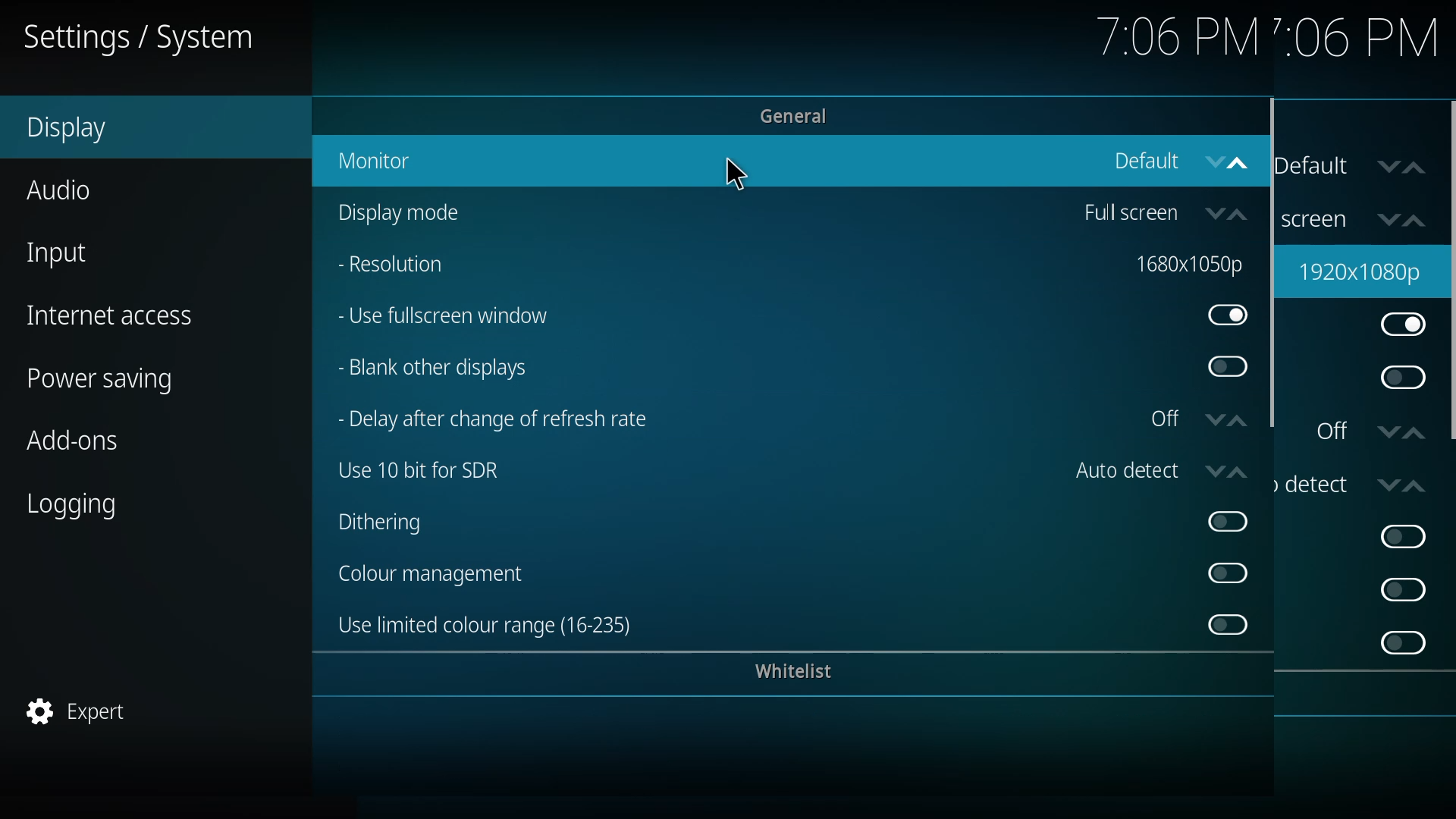 This screenshot has height=819, width=1456. What do you see at coordinates (1345, 37) in the screenshot?
I see `time` at bounding box center [1345, 37].